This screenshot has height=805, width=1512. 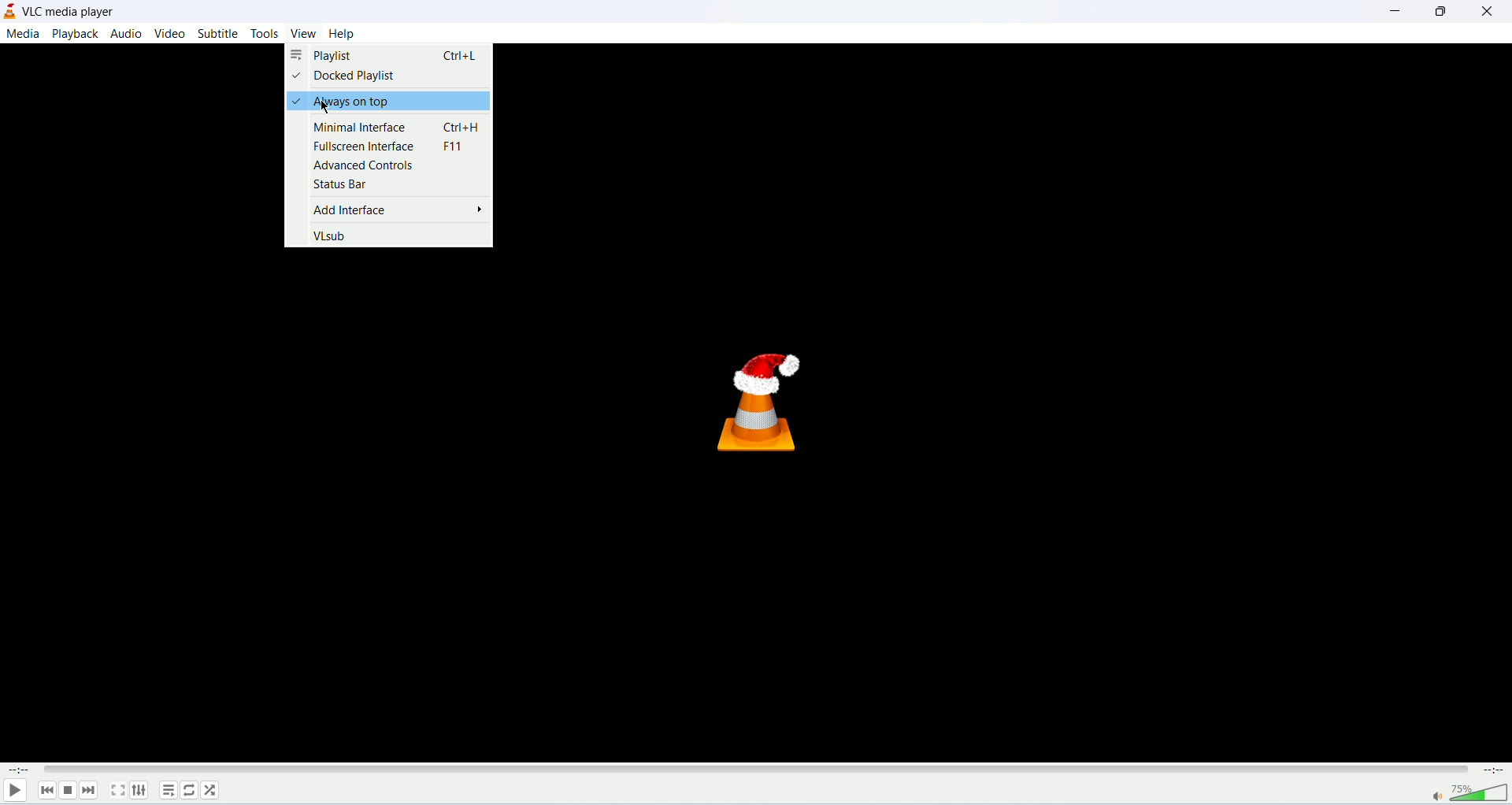 I want to click on minimize, so click(x=1395, y=13).